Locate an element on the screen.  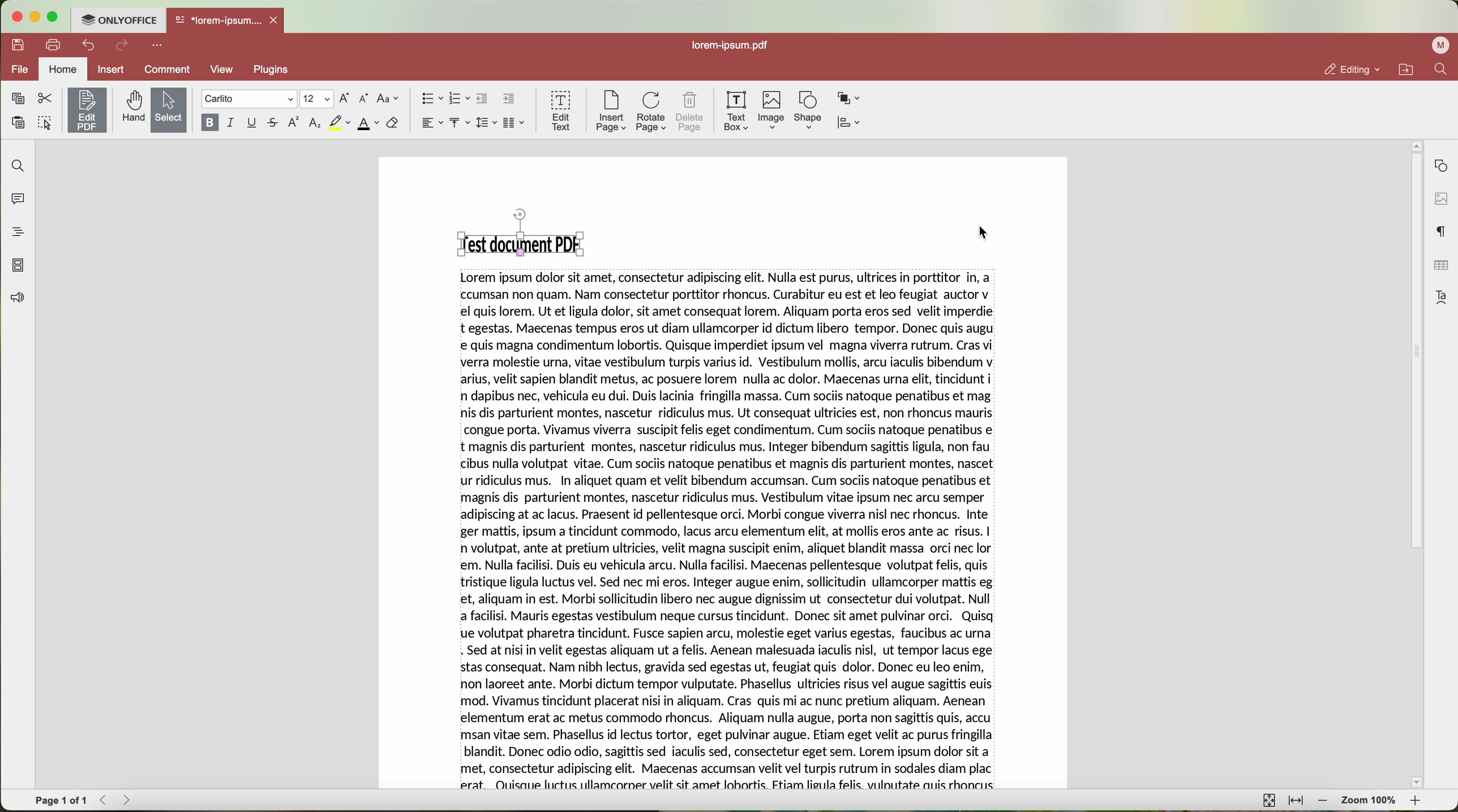
feedback & support is located at coordinates (15, 299).